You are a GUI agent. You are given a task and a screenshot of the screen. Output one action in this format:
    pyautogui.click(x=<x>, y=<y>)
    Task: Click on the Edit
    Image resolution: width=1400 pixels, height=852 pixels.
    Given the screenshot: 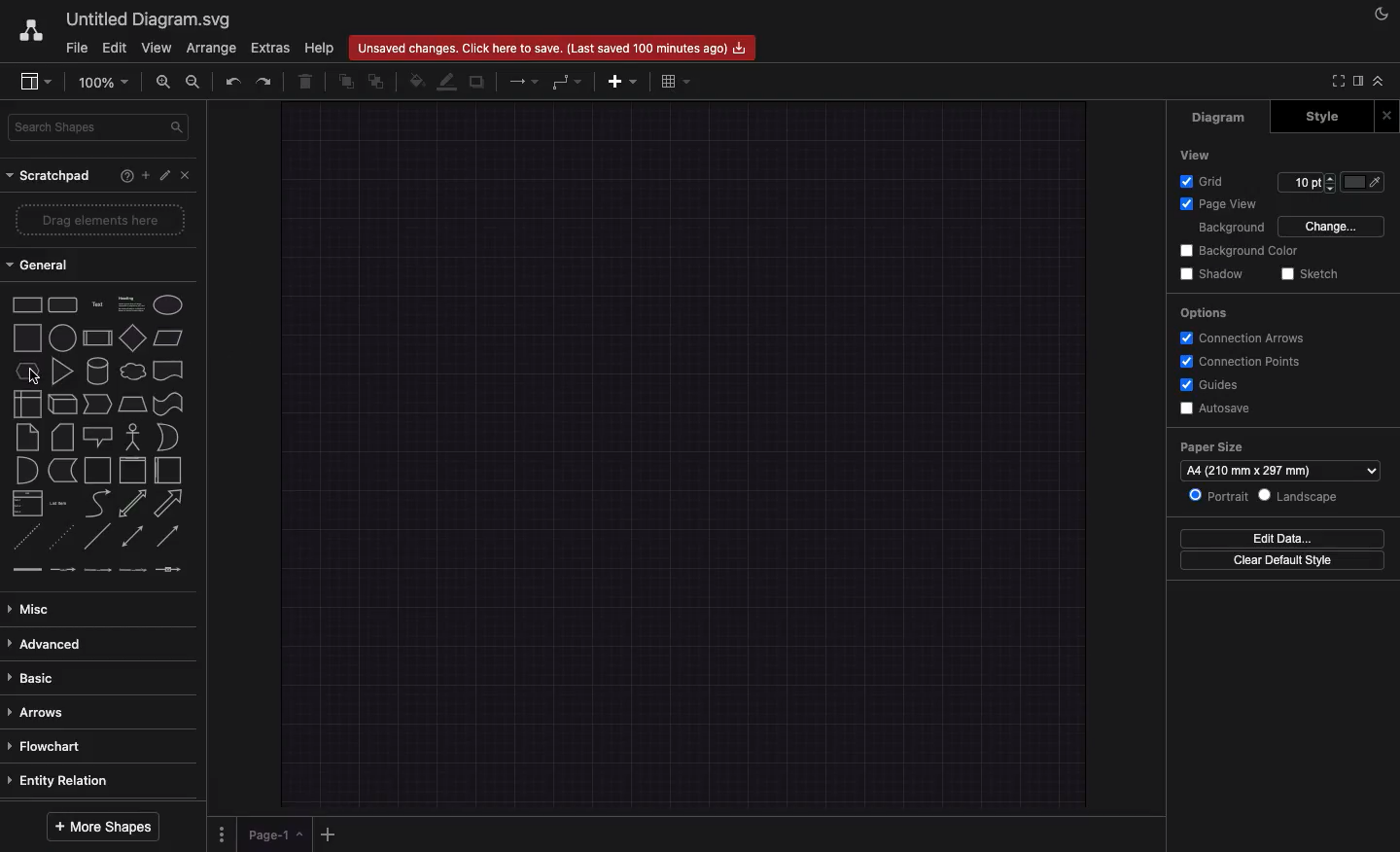 What is the action you would take?
    pyautogui.click(x=168, y=177)
    